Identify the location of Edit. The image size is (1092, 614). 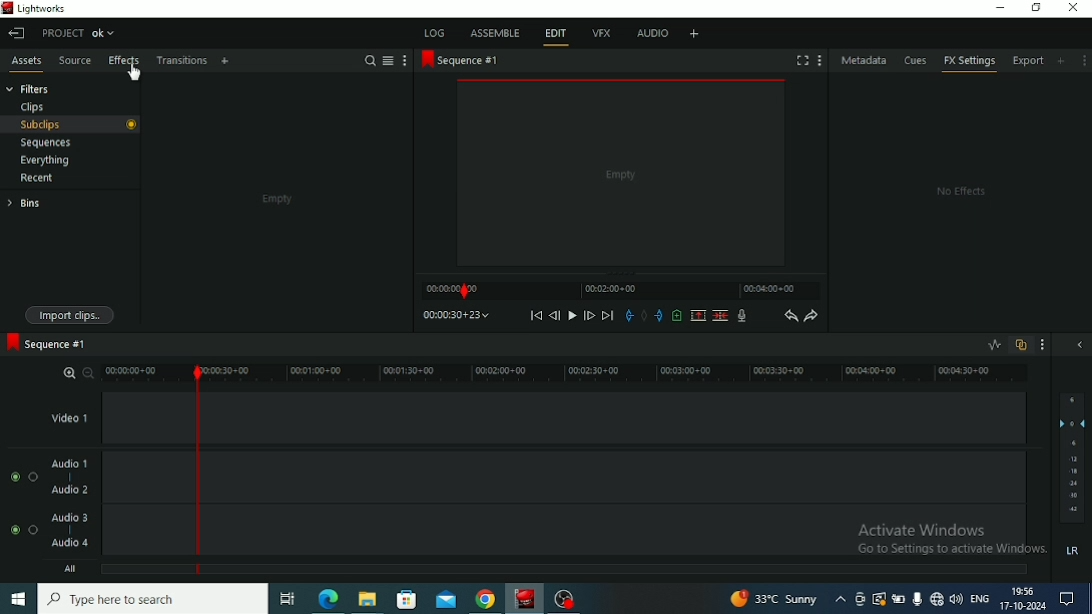
(555, 35).